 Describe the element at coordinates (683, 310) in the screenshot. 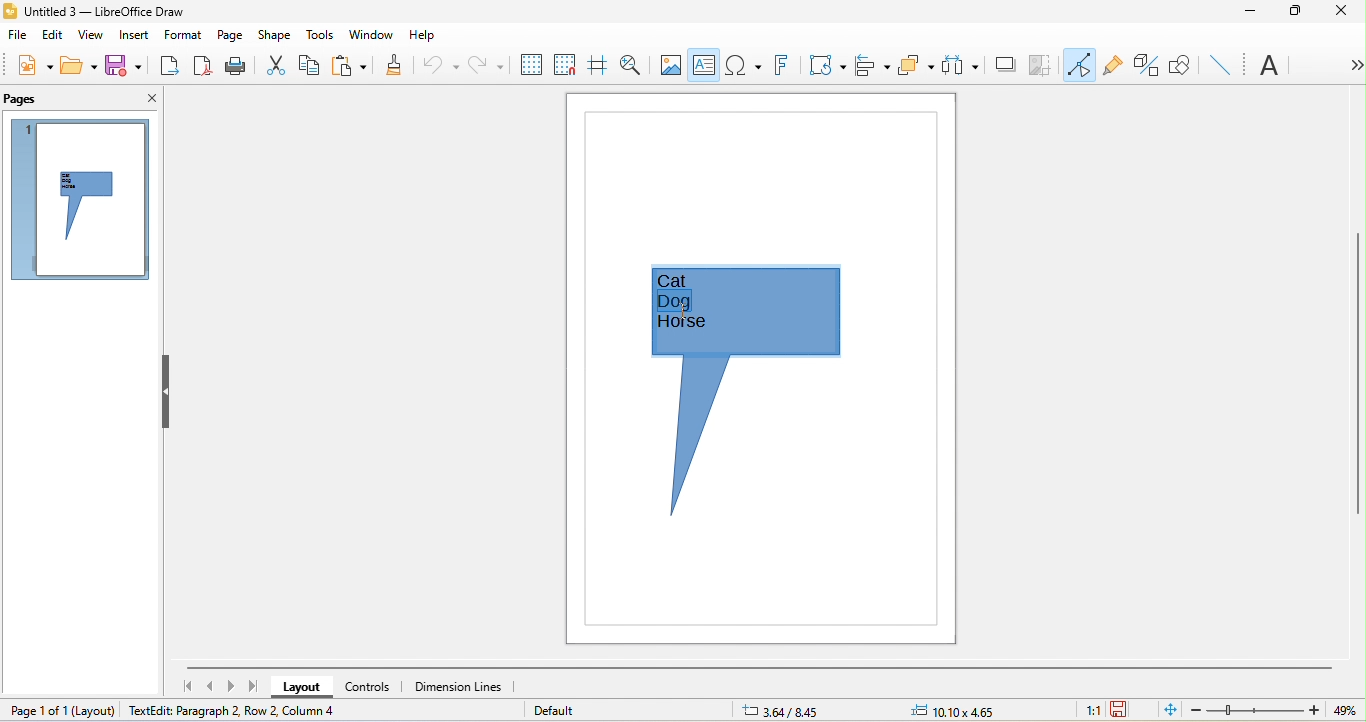

I see `cursor movement` at that location.